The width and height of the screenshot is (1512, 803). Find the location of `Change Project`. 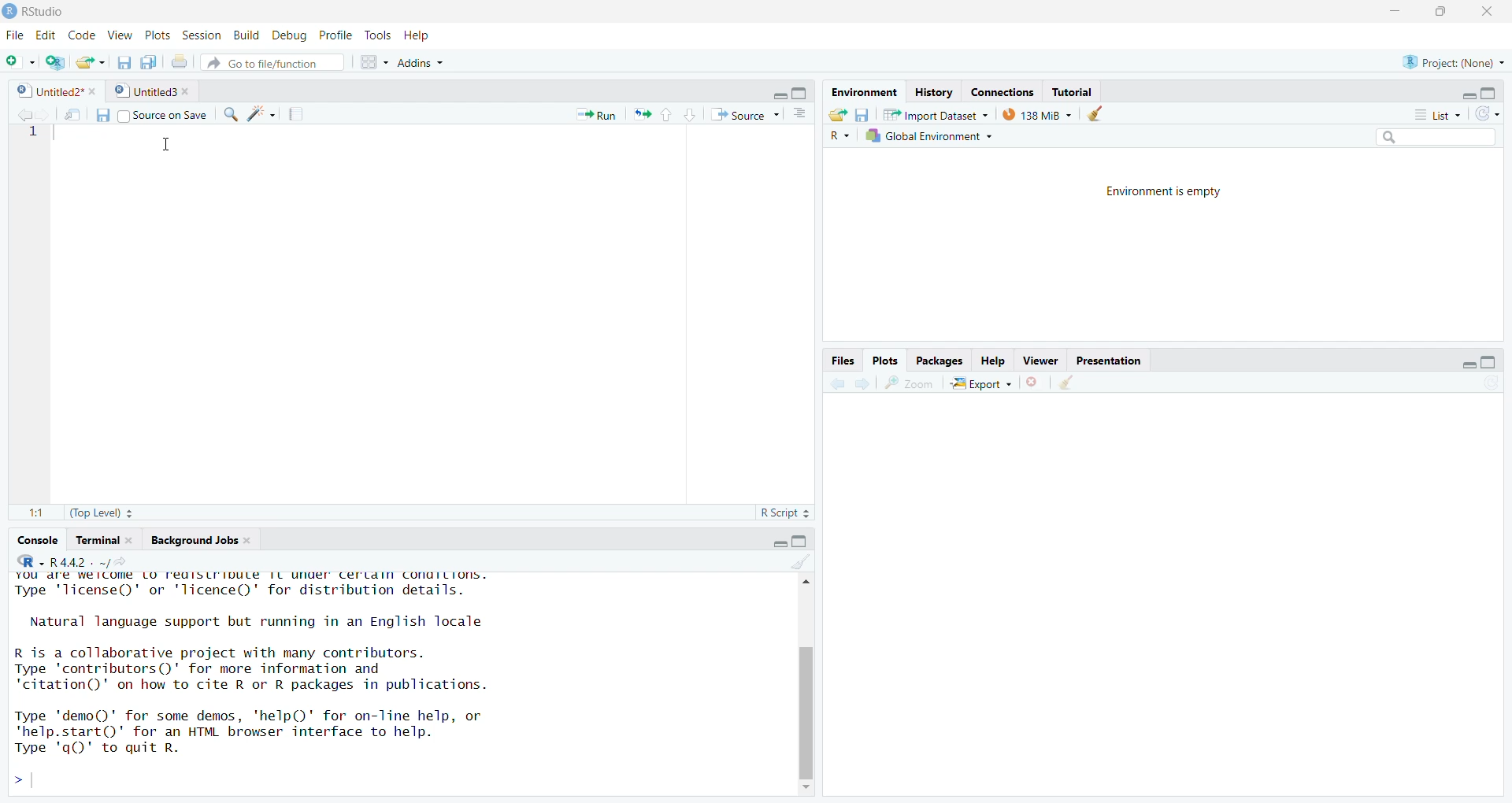

Change Project is located at coordinates (55, 59).